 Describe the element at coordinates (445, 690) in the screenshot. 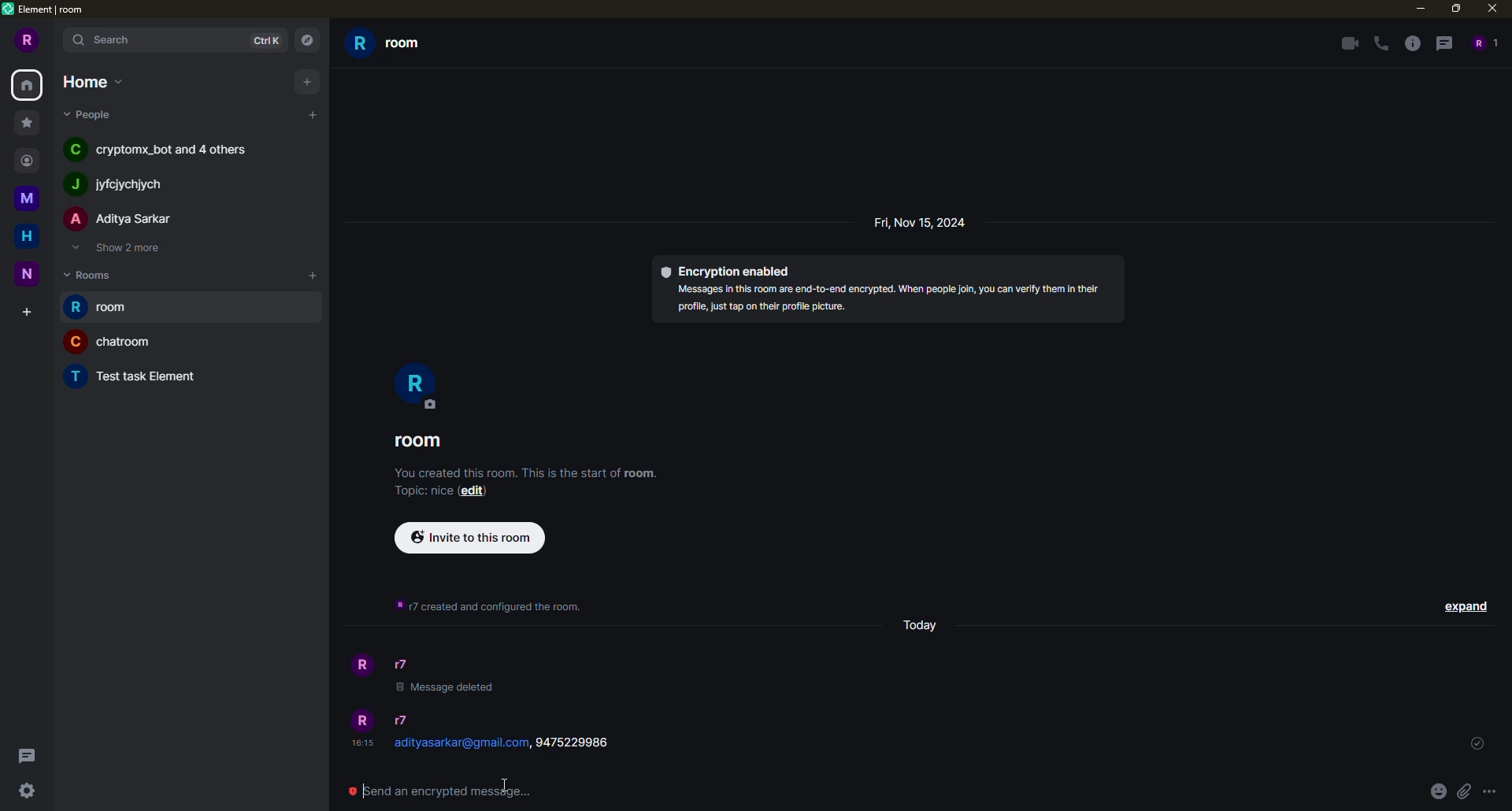

I see `deleted` at that location.